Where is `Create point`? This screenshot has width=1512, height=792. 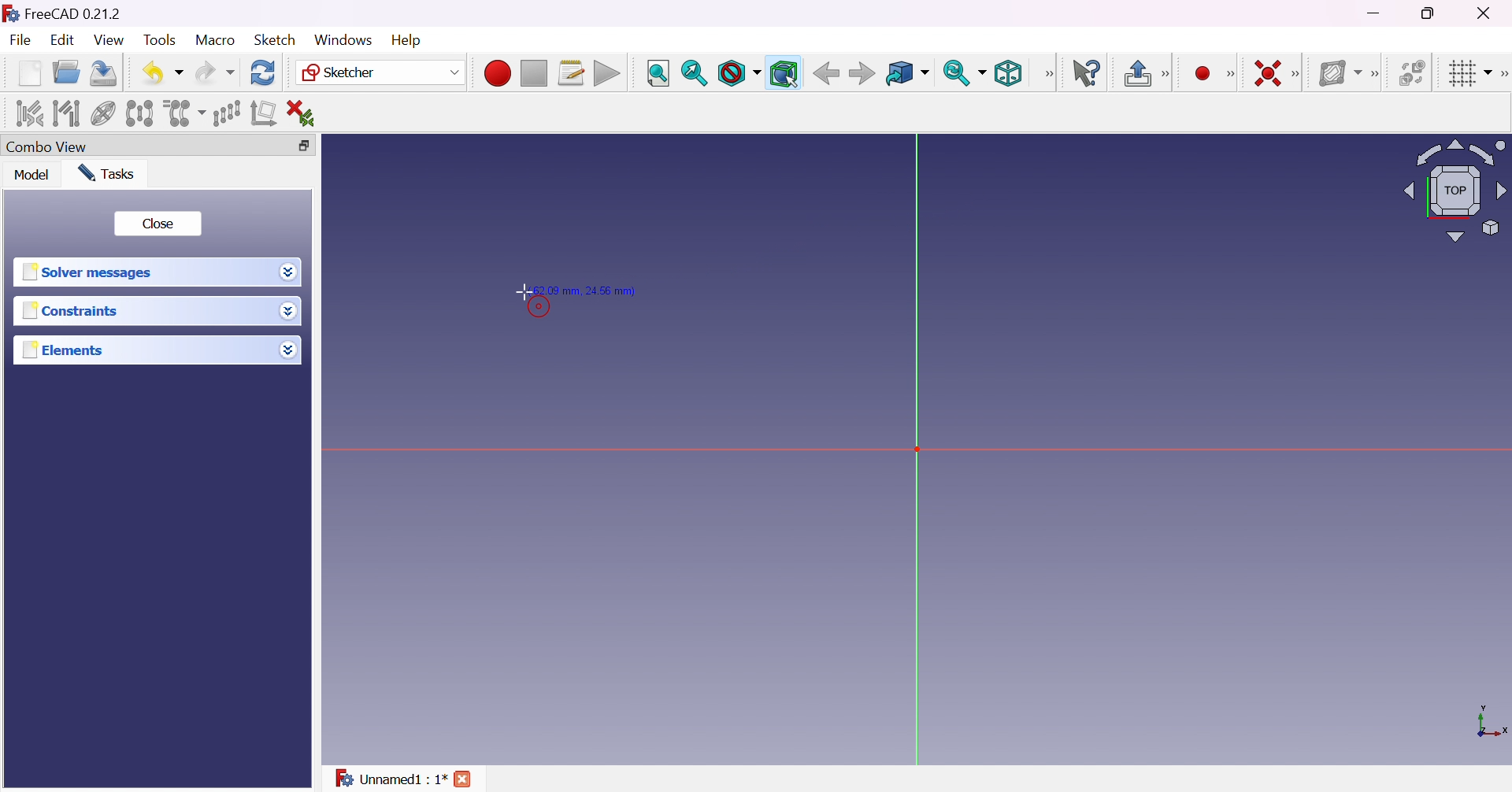 Create point is located at coordinates (1203, 74).